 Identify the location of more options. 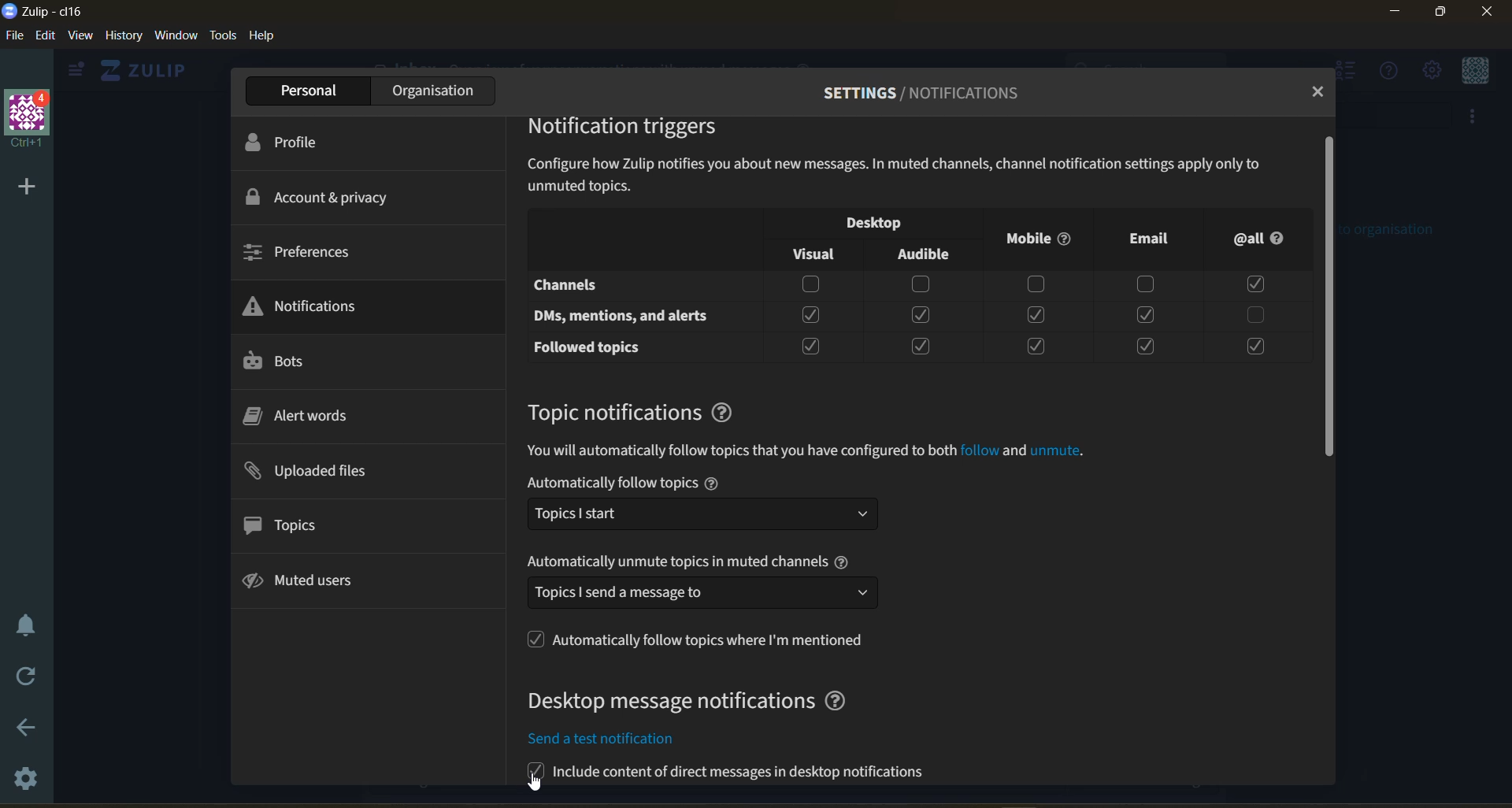
(1474, 119).